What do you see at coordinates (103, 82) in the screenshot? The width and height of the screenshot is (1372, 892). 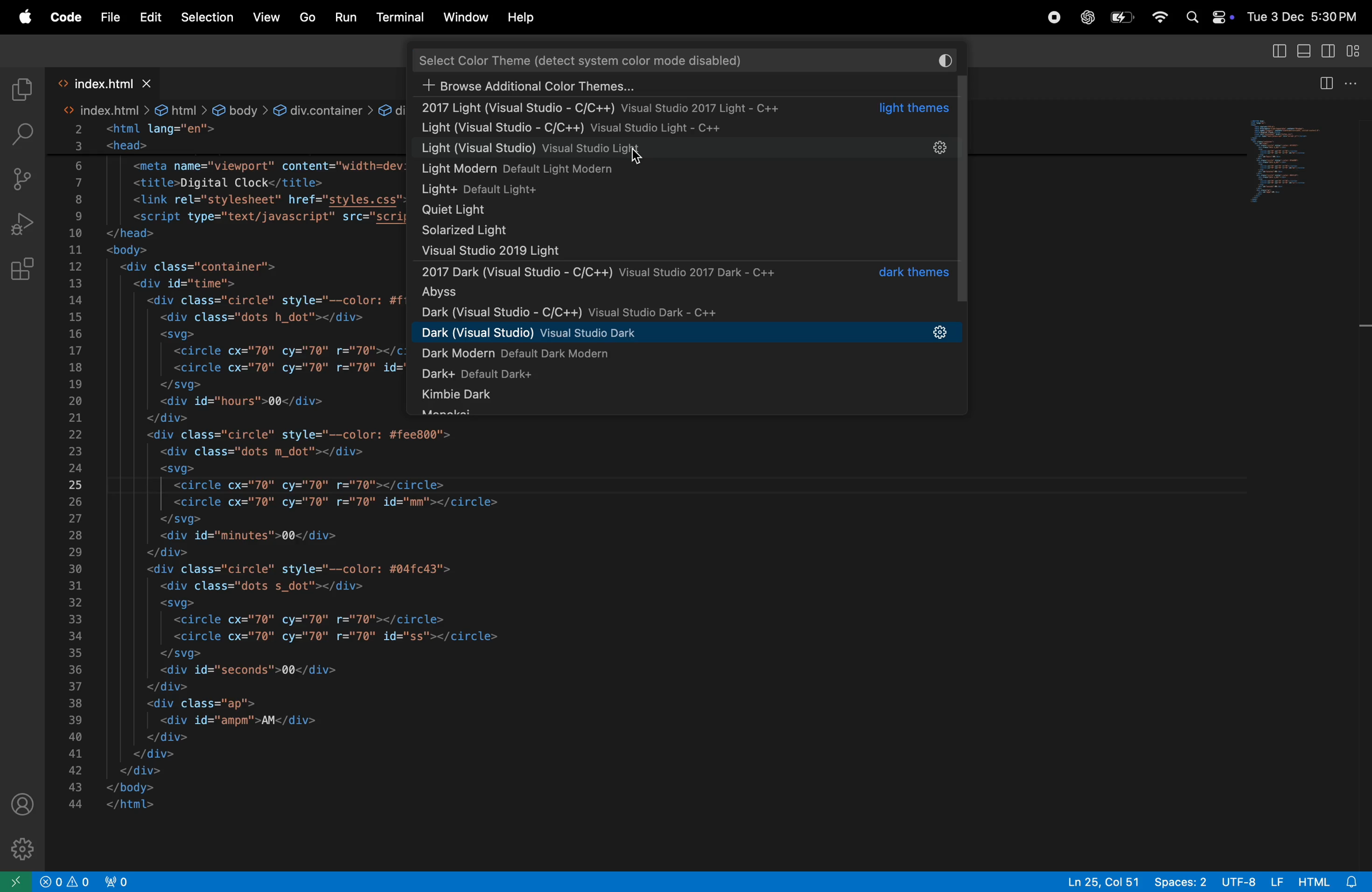 I see `index.html` at bounding box center [103, 82].